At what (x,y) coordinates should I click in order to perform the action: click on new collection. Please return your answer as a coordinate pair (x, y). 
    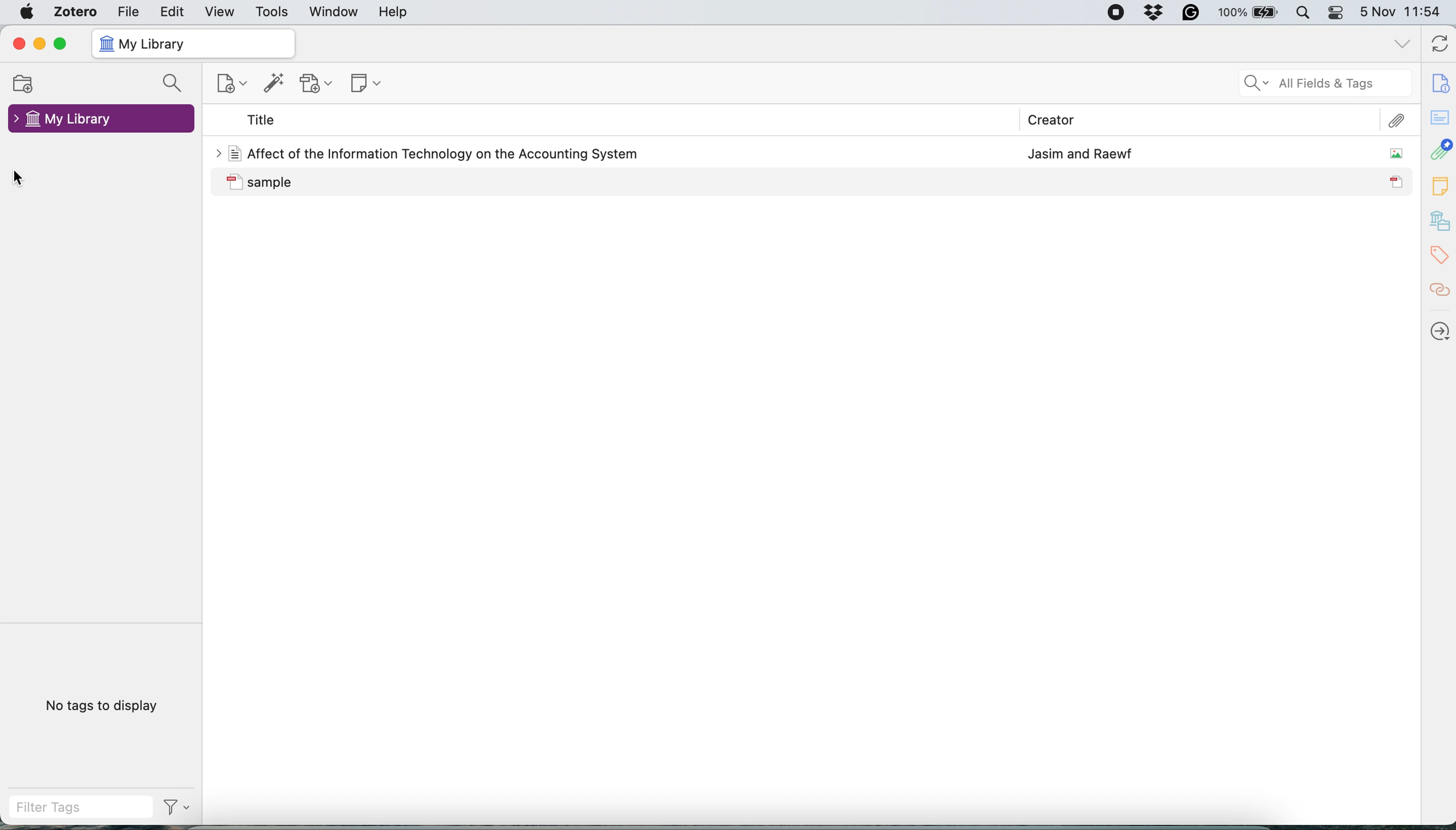
    Looking at the image, I should click on (24, 83).